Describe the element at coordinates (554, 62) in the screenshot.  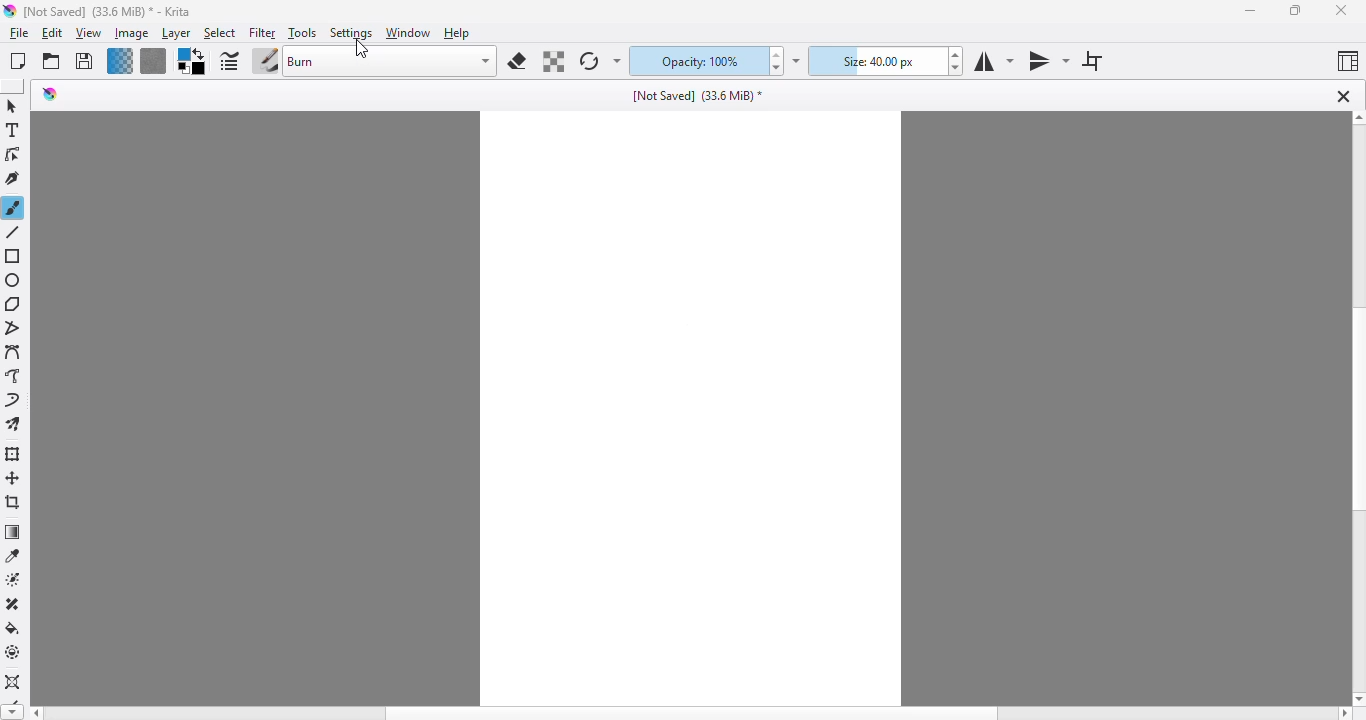
I see `preserve alpha` at that location.